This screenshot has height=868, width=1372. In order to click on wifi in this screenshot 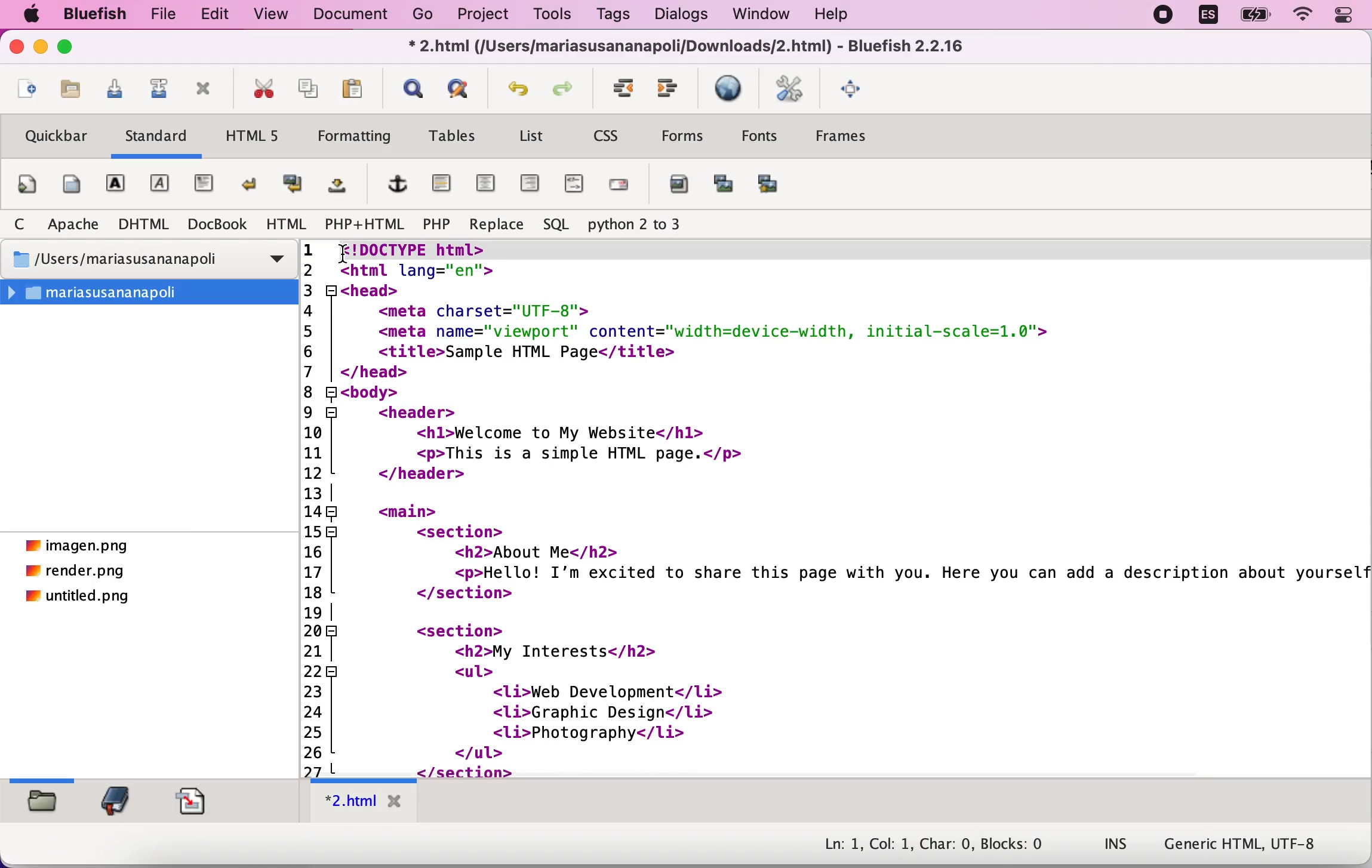, I will do `click(1303, 17)`.